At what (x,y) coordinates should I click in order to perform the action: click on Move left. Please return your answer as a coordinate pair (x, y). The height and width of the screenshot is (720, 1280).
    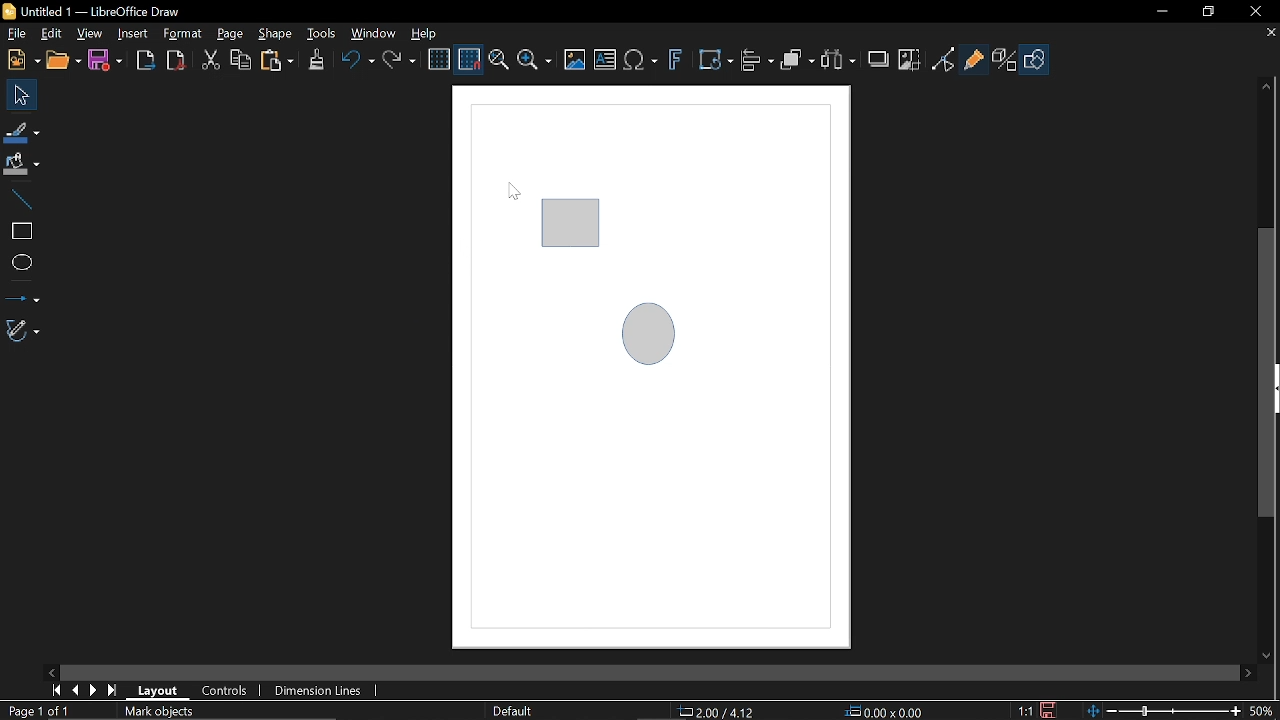
    Looking at the image, I should click on (47, 671).